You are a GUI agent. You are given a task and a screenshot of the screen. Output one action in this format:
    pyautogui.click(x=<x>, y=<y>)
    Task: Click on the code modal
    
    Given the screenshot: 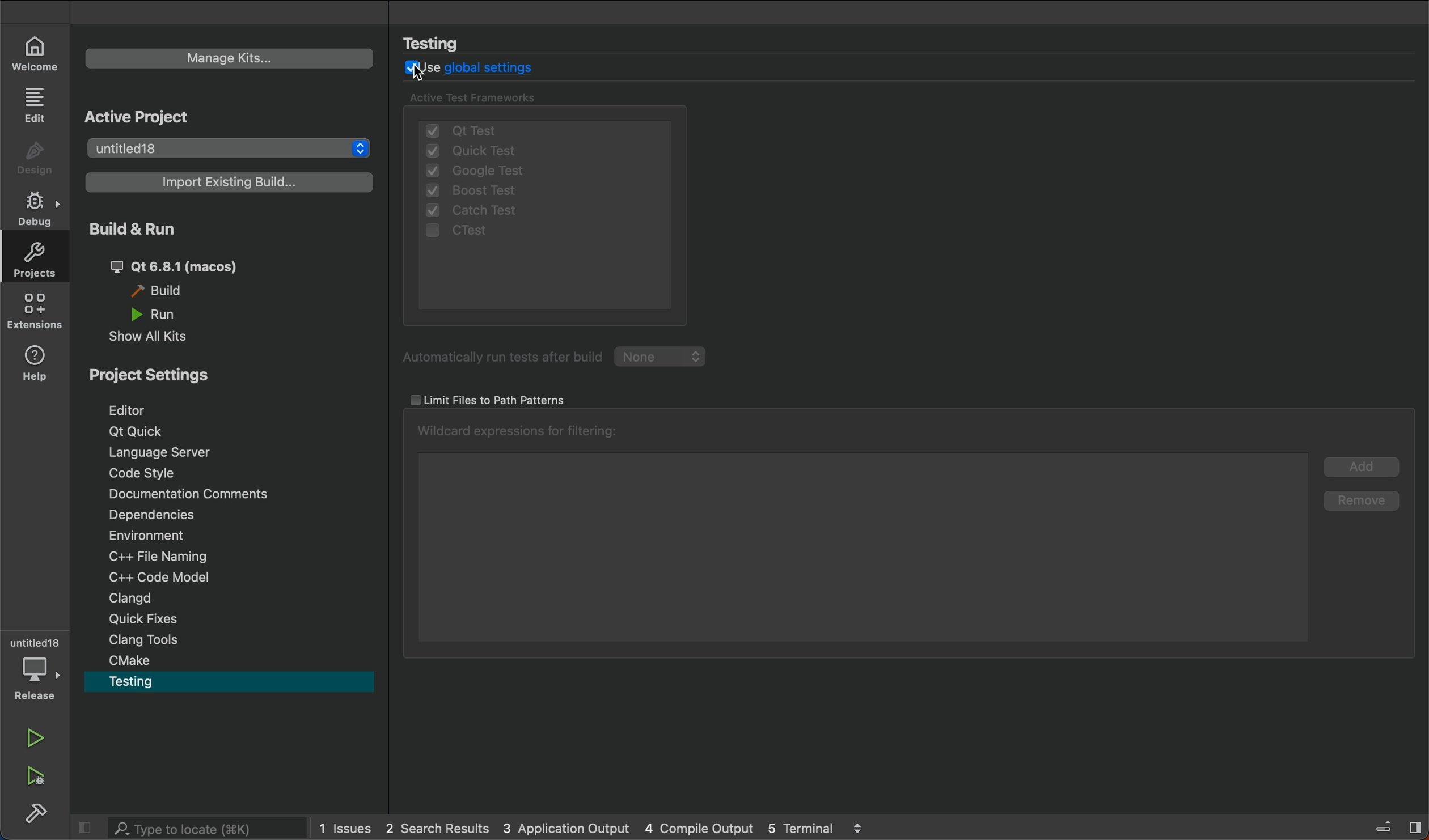 What is the action you would take?
    pyautogui.click(x=234, y=579)
    